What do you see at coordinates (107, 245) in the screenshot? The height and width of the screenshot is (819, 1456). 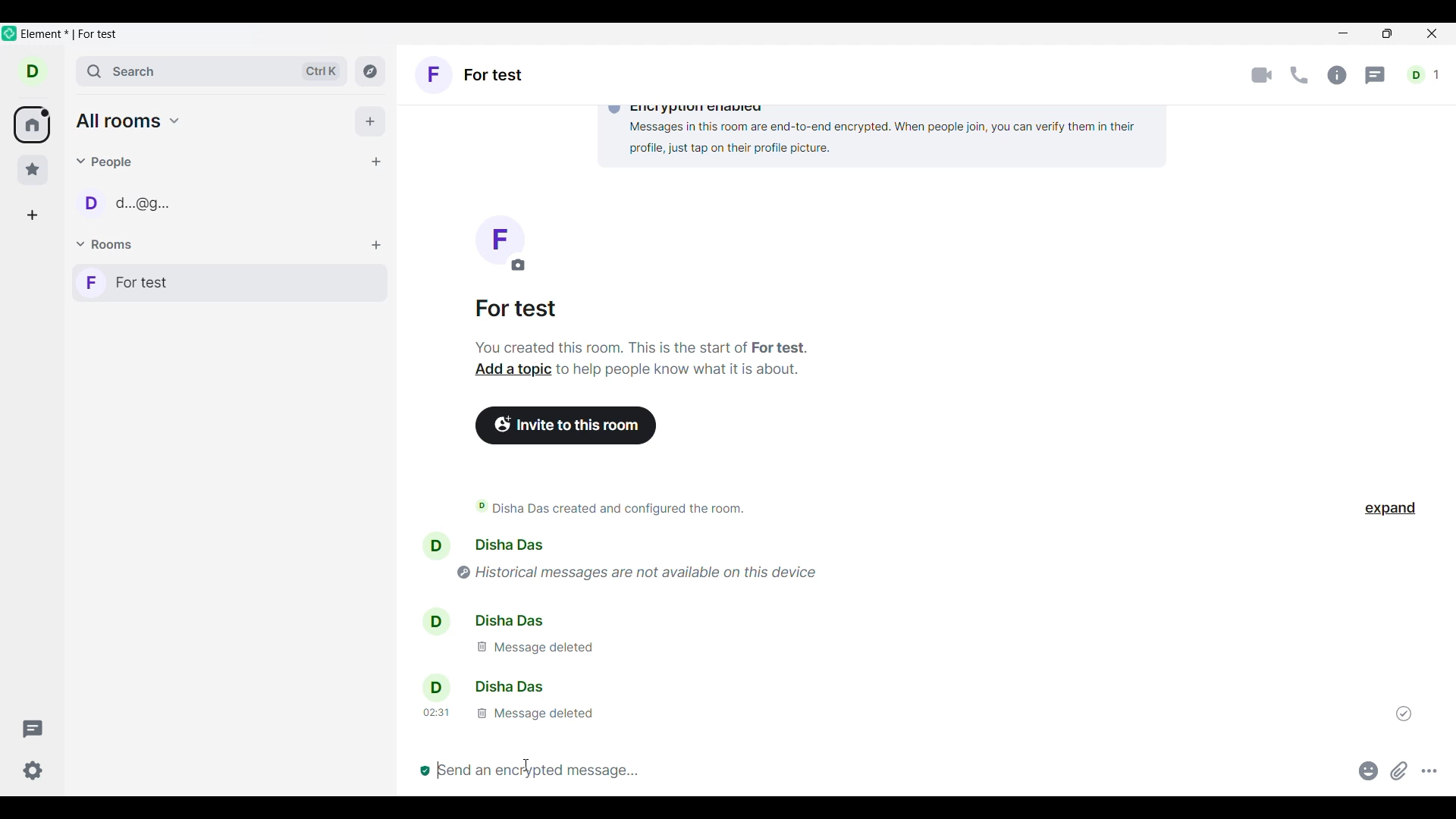 I see `Rooms` at bounding box center [107, 245].